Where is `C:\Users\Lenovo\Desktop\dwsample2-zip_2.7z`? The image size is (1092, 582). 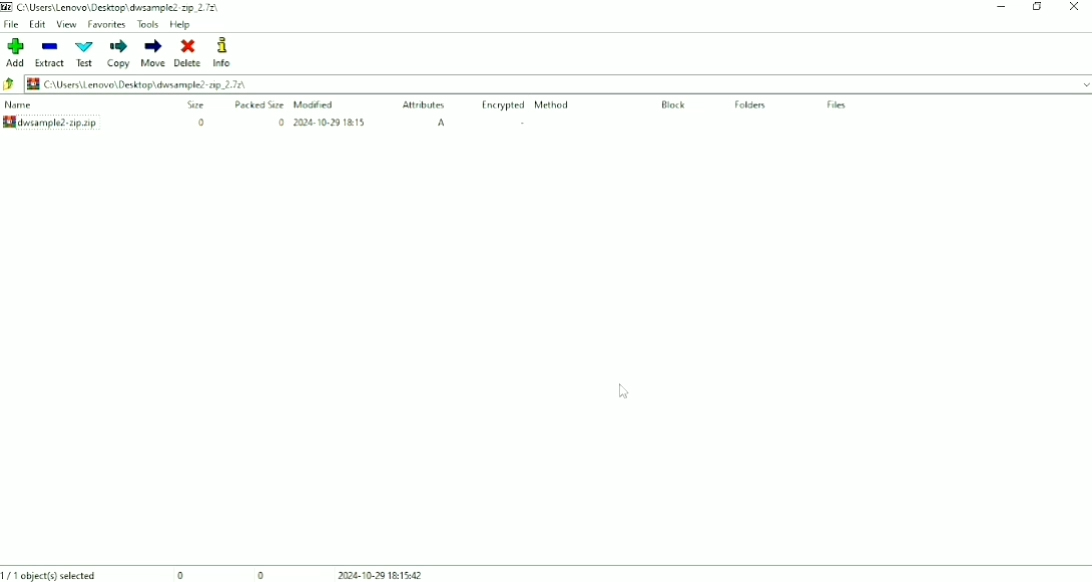 C:\Users\Lenovo\Desktop\dwsample2-zip_2.7z is located at coordinates (135, 84).